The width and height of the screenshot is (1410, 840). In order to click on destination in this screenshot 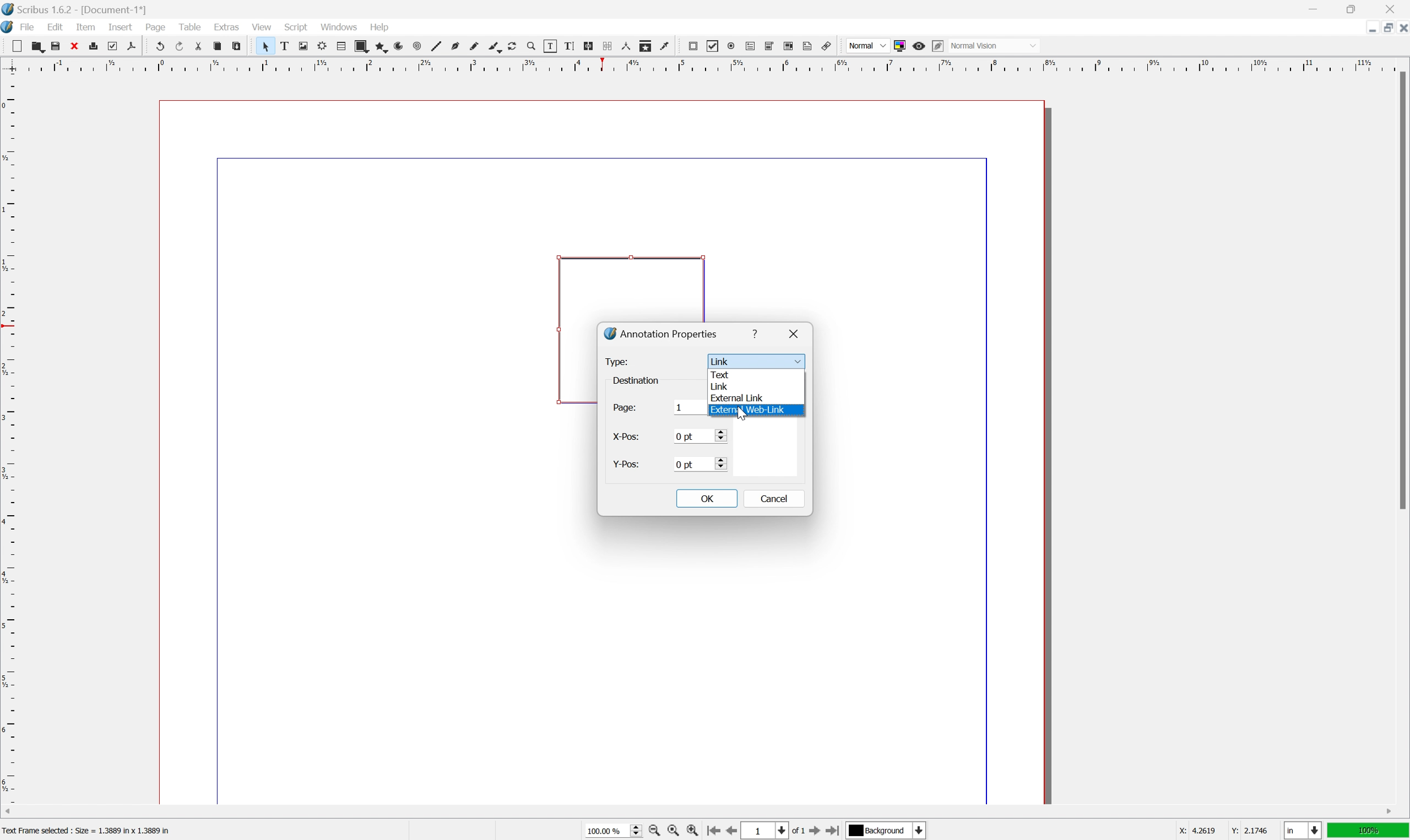, I will do `click(639, 379)`.